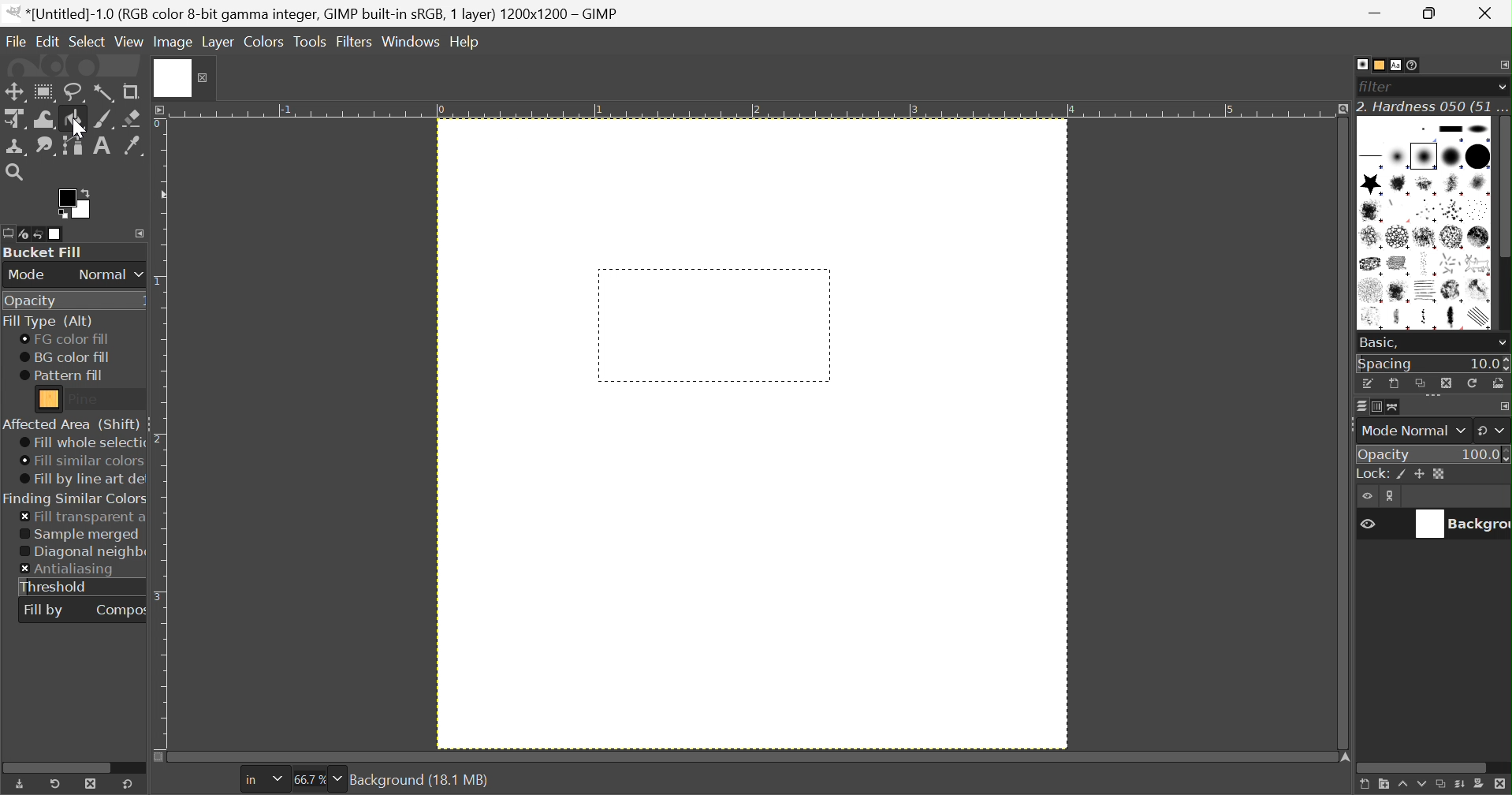  I want to click on Channels, so click(1372, 409).